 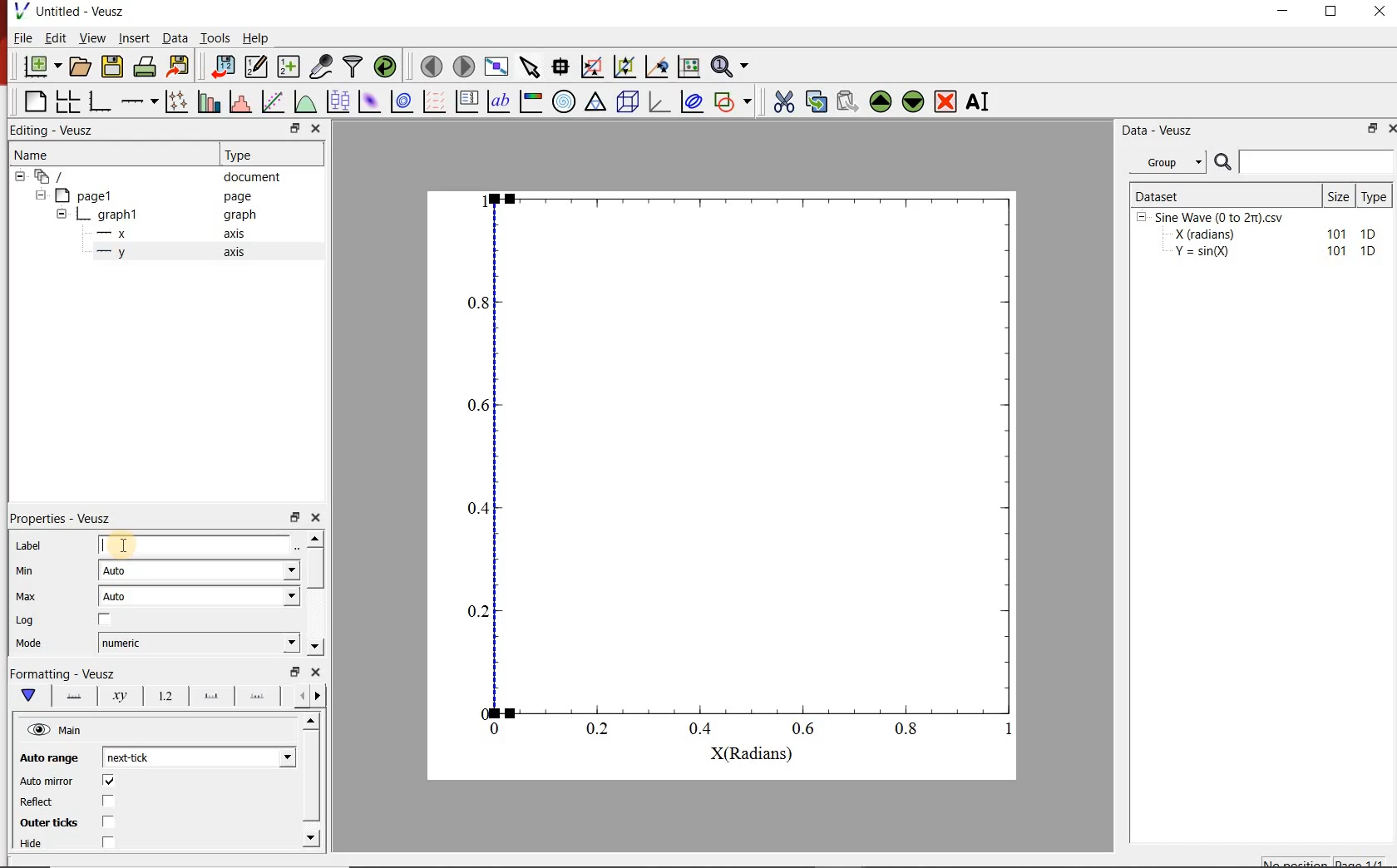 I want to click on print, so click(x=146, y=67).